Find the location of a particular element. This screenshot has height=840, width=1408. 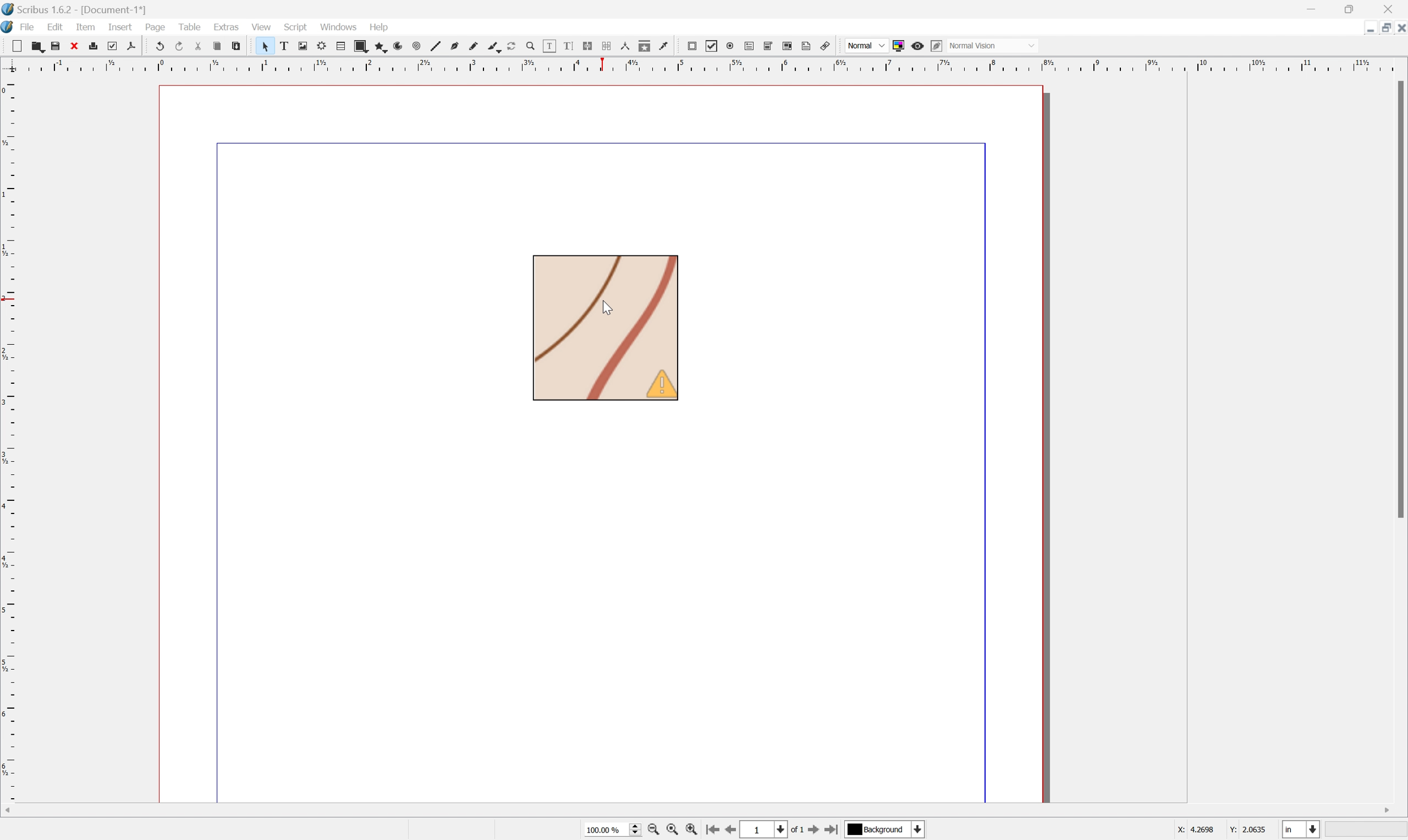

Shape is located at coordinates (364, 47).